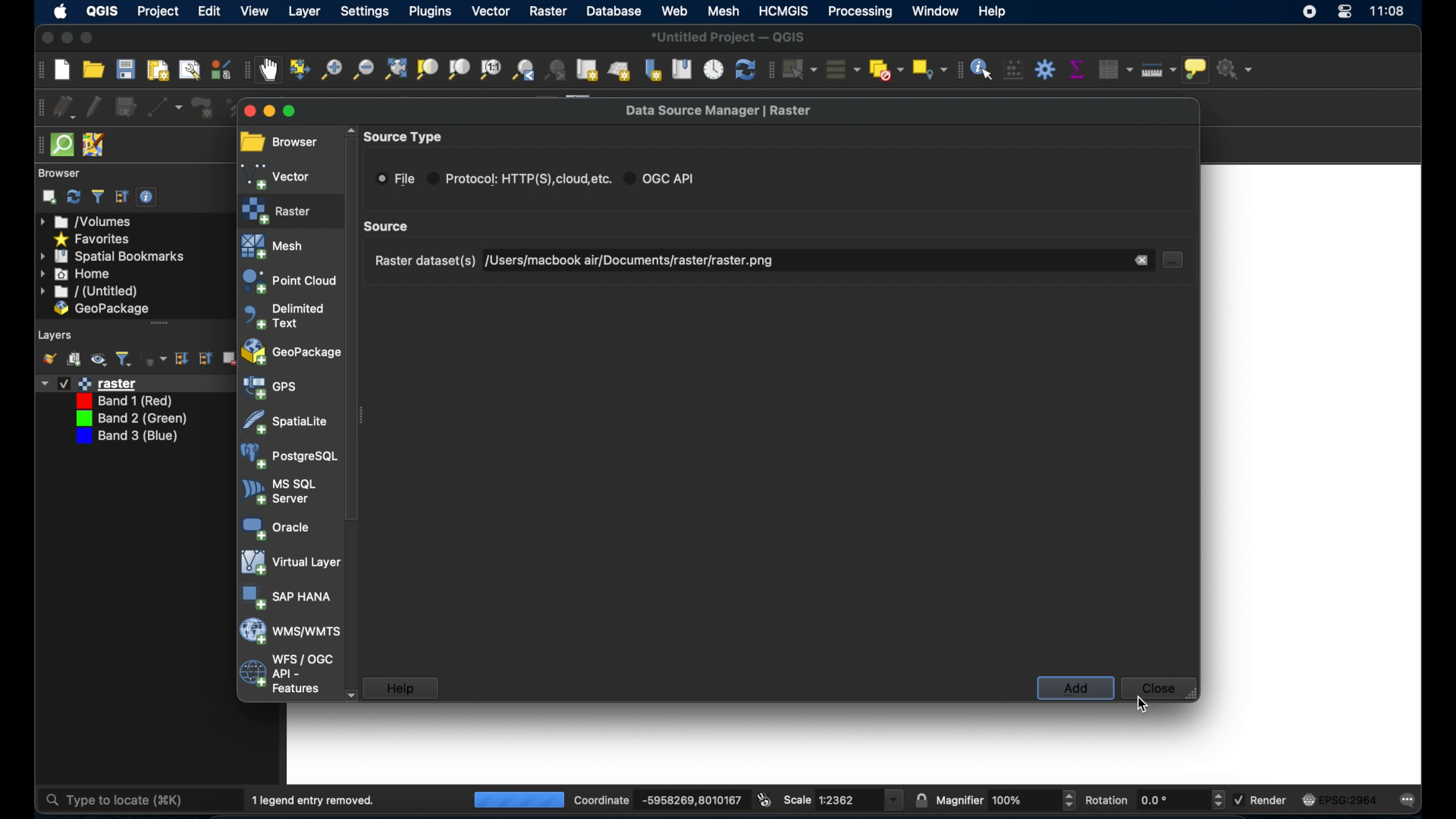  What do you see at coordinates (58, 172) in the screenshot?
I see `browser` at bounding box center [58, 172].